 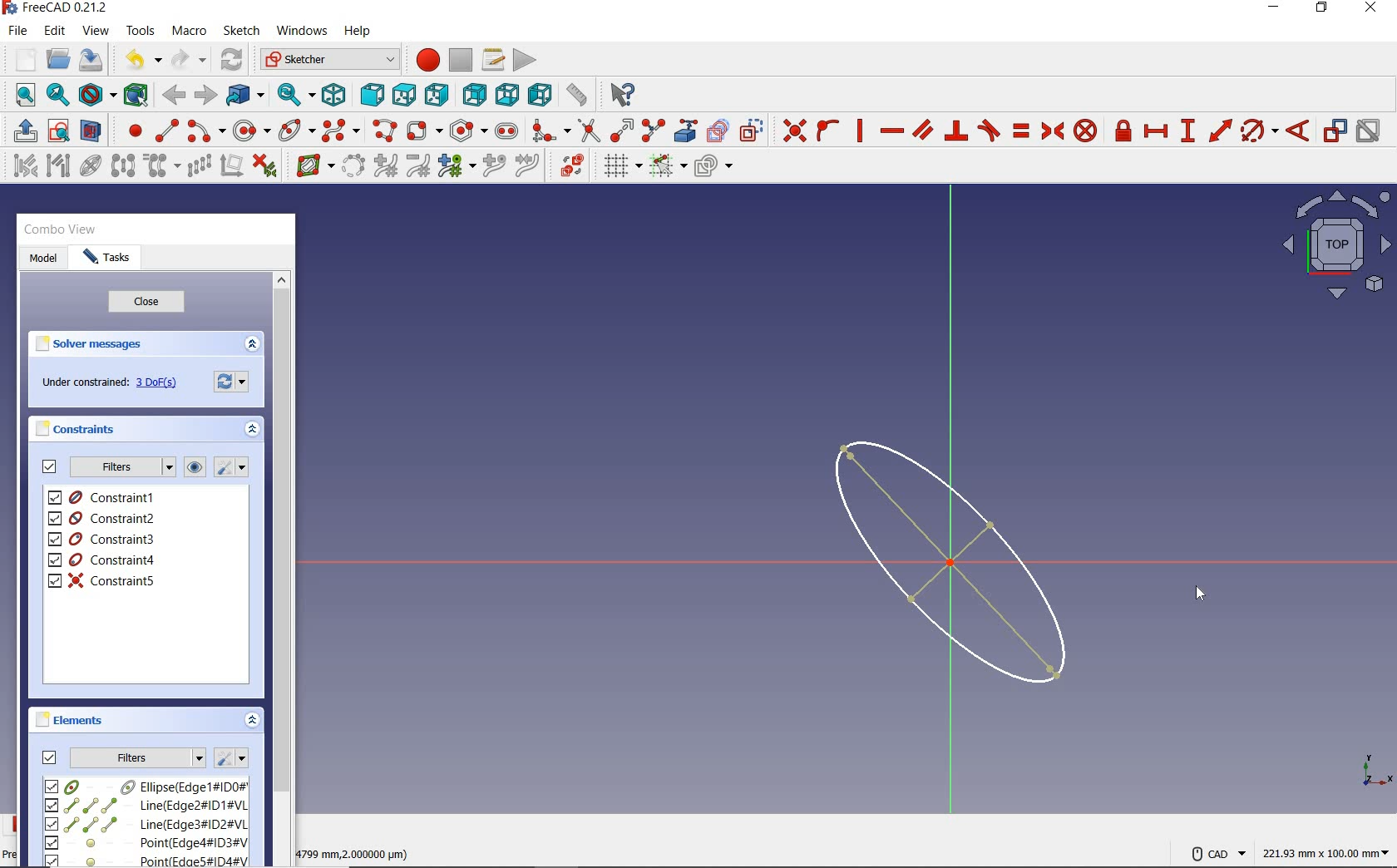 What do you see at coordinates (1374, 768) in the screenshot?
I see `xyz` at bounding box center [1374, 768].